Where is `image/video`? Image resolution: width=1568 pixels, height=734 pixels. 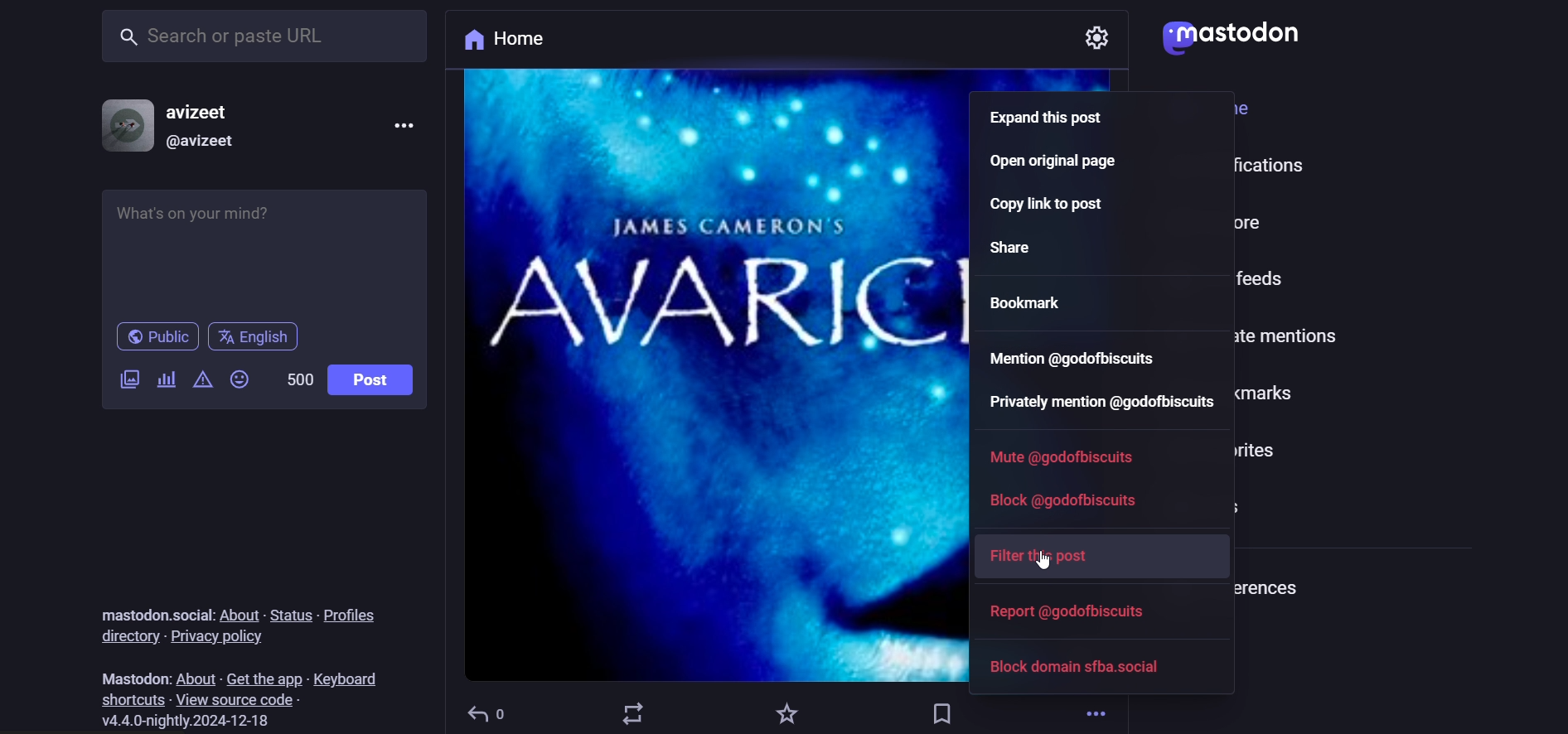
image/video is located at coordinates (128, 377).